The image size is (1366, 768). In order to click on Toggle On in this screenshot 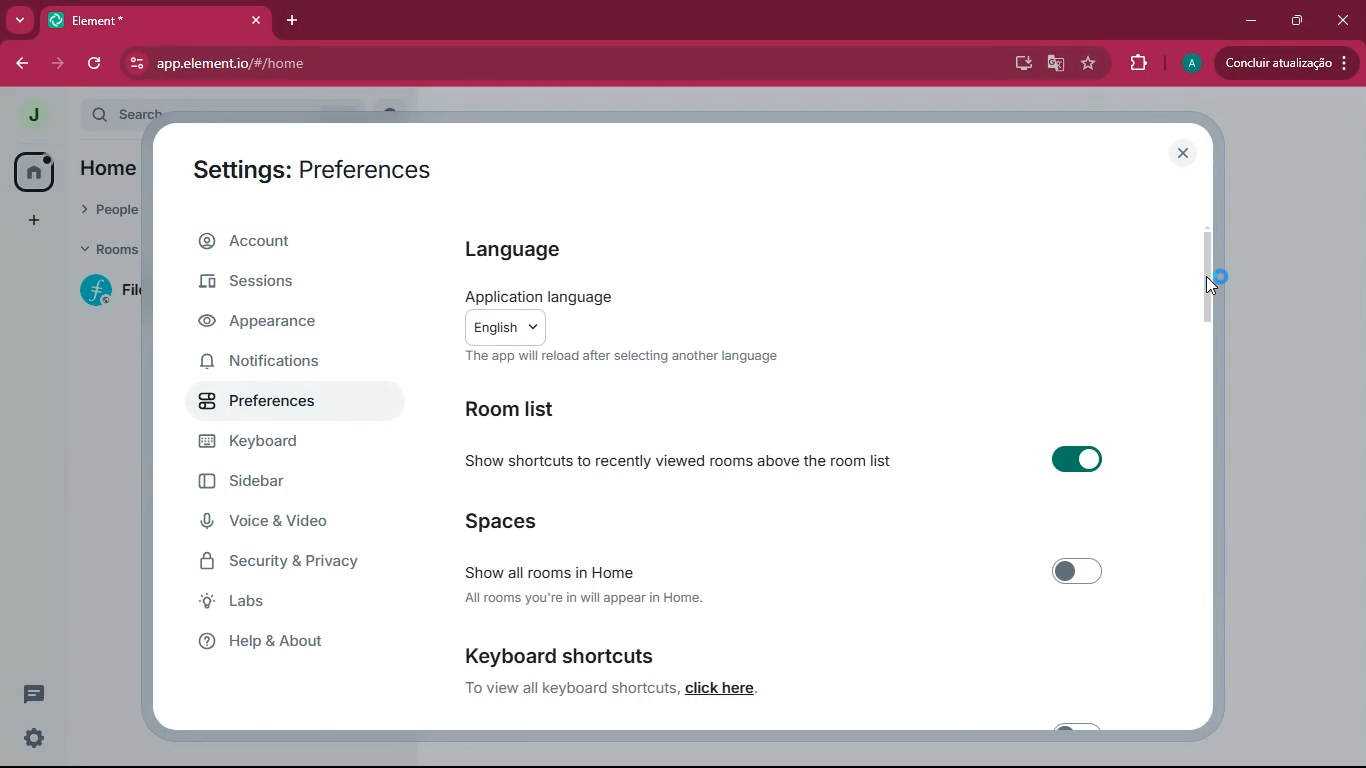, I will do `click(1076, 462)`.